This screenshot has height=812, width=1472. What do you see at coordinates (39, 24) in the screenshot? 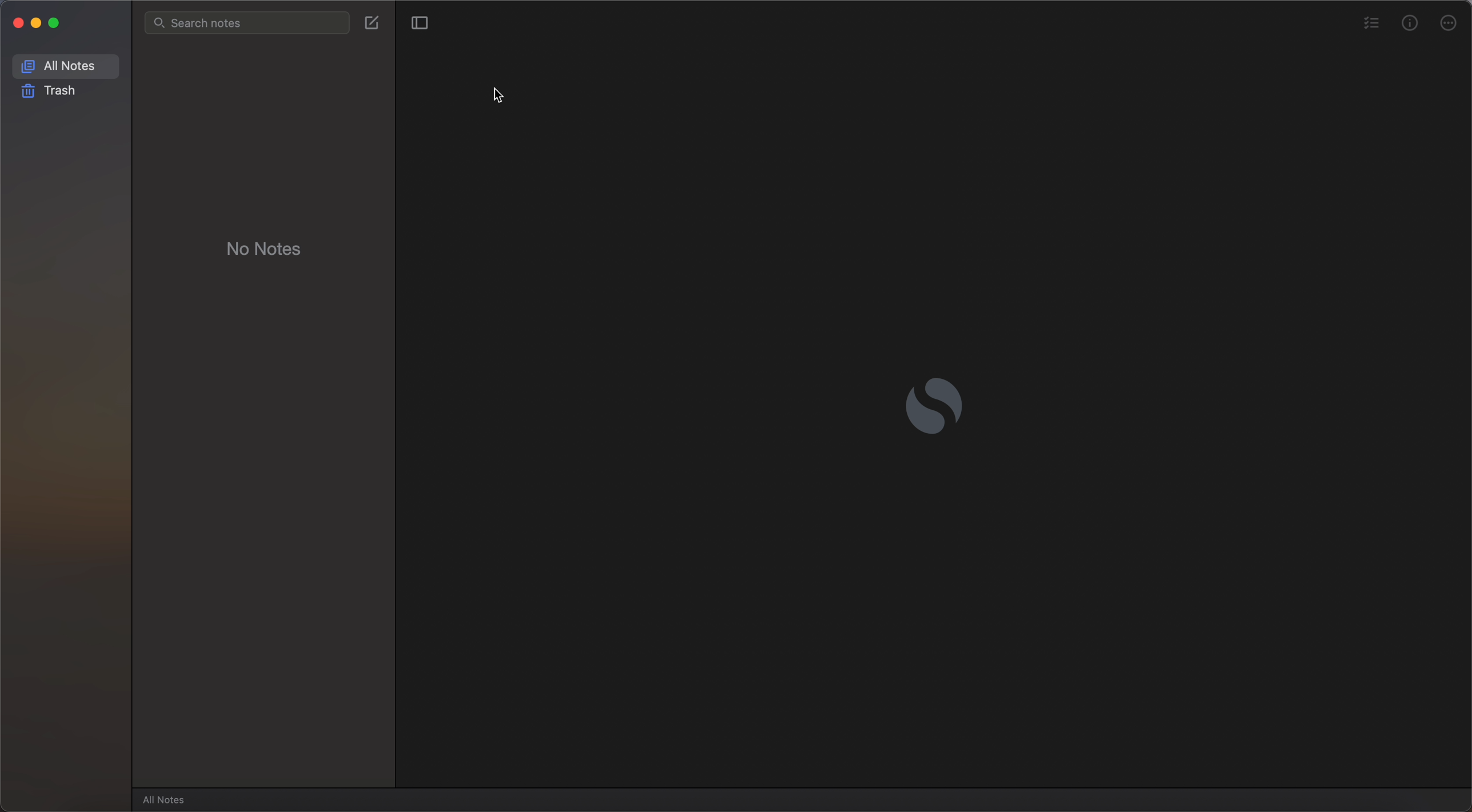
I see `minimize` at bounding box center [39, 24].